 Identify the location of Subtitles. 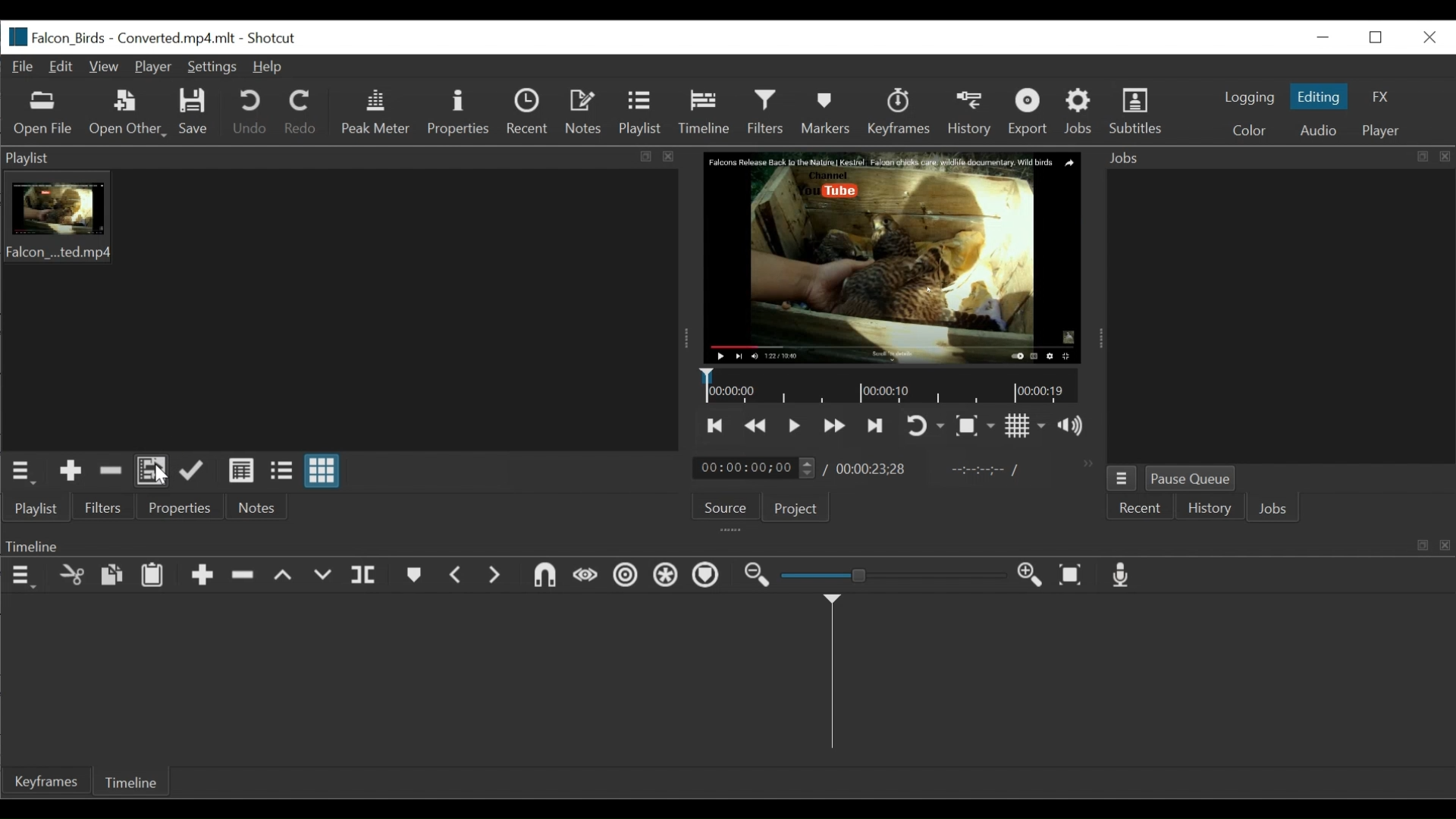
(1141, 114).